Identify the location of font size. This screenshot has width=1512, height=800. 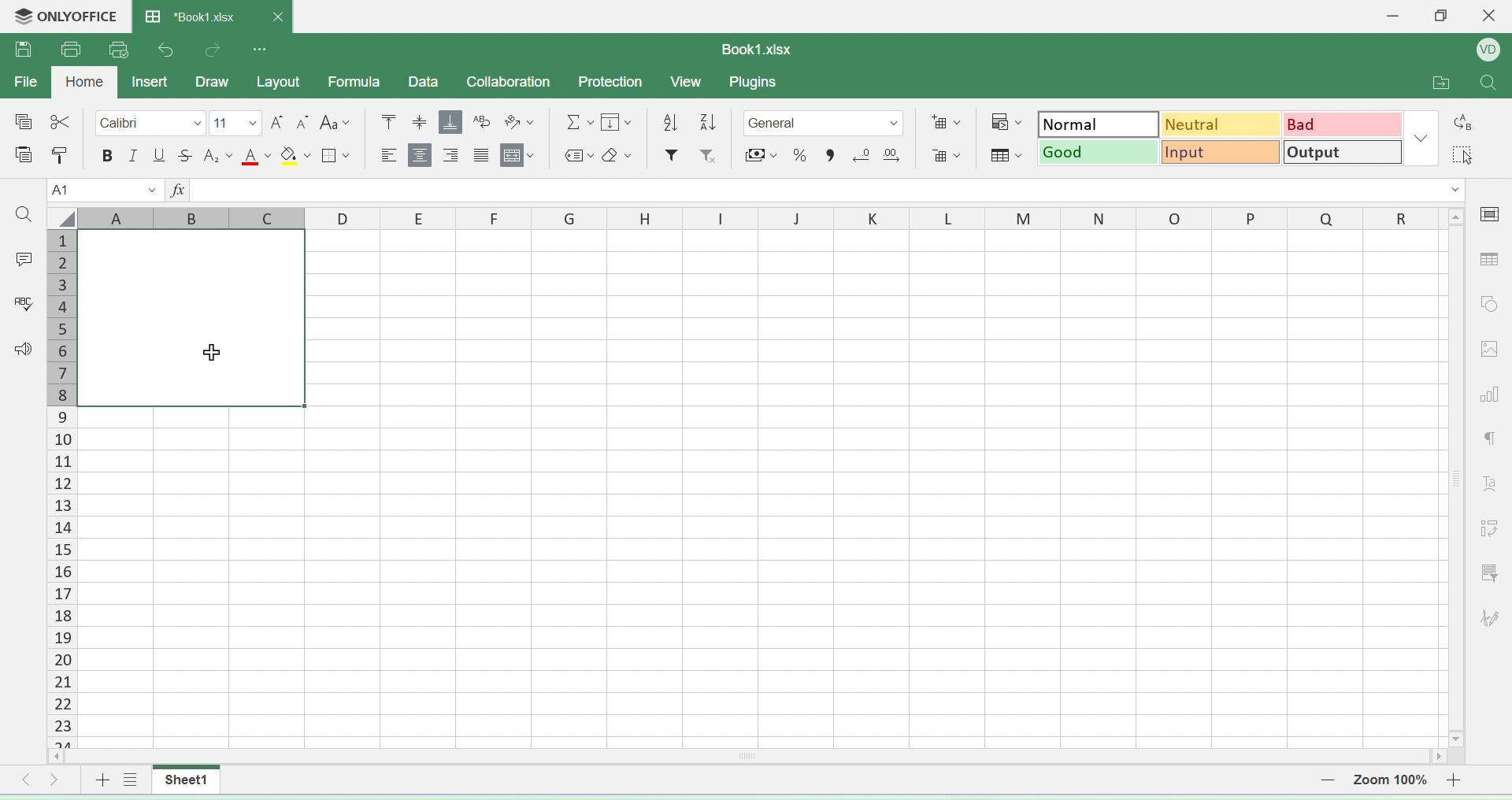
(237, 123).